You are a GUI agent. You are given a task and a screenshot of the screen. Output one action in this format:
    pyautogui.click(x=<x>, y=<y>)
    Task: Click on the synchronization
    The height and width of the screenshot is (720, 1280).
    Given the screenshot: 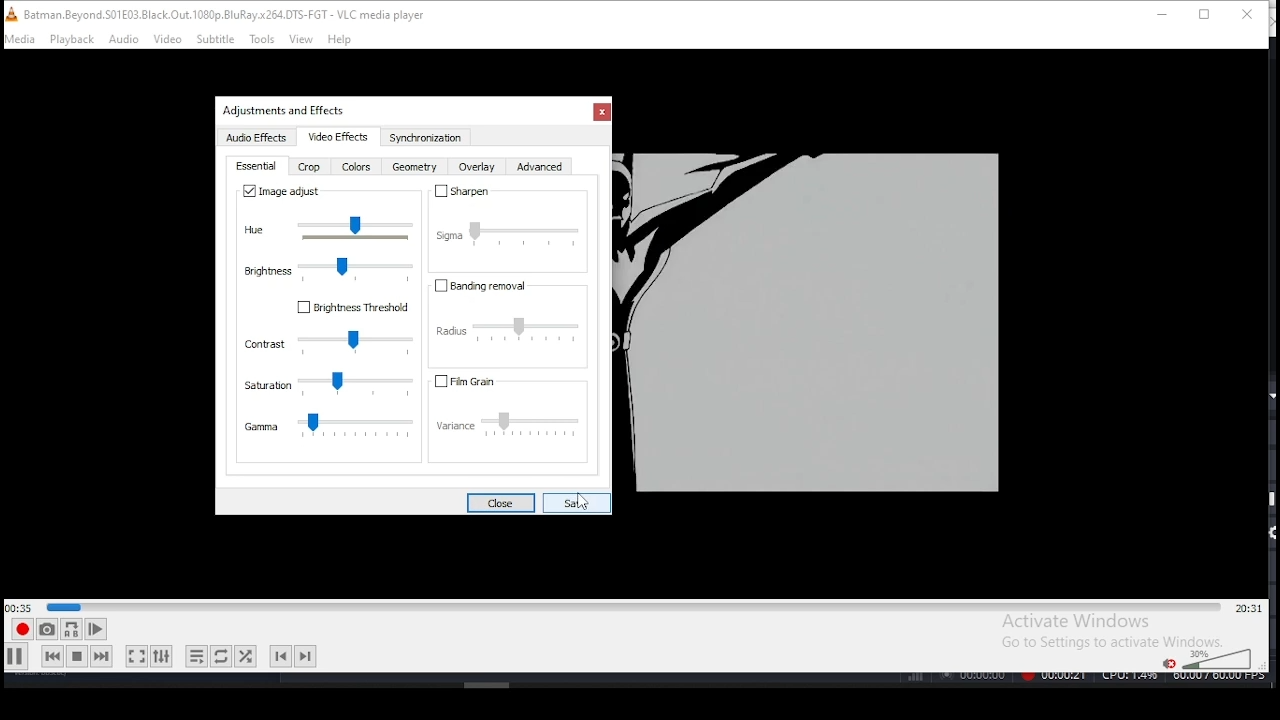 What is the action you would take?
    pyautogui.click(x=424, y=138)
    